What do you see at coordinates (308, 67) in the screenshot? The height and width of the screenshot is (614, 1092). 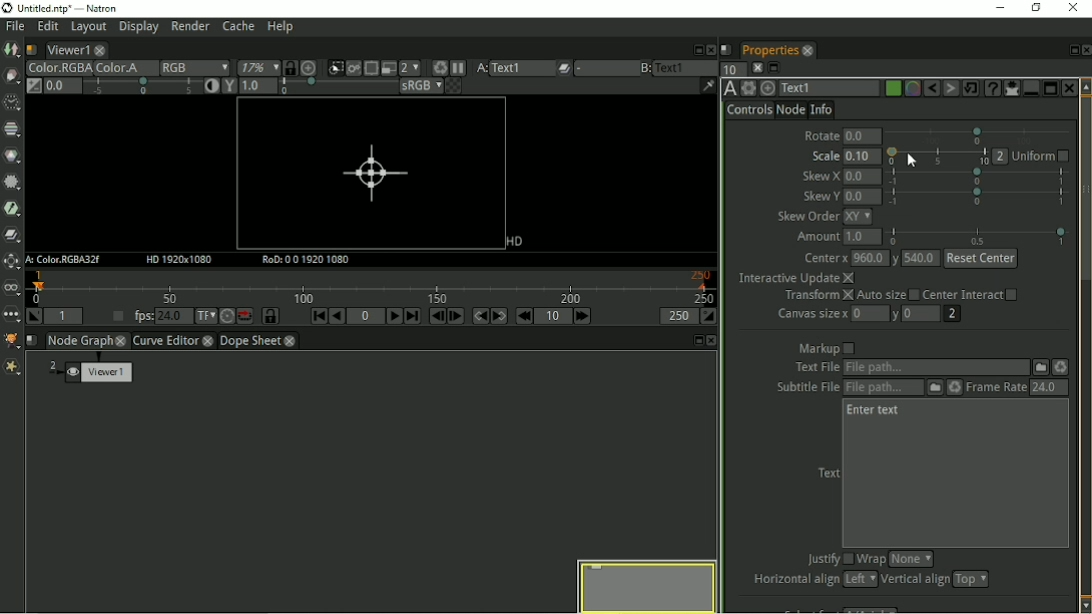 I see `Scales the image` at bounding box center [308, 67].